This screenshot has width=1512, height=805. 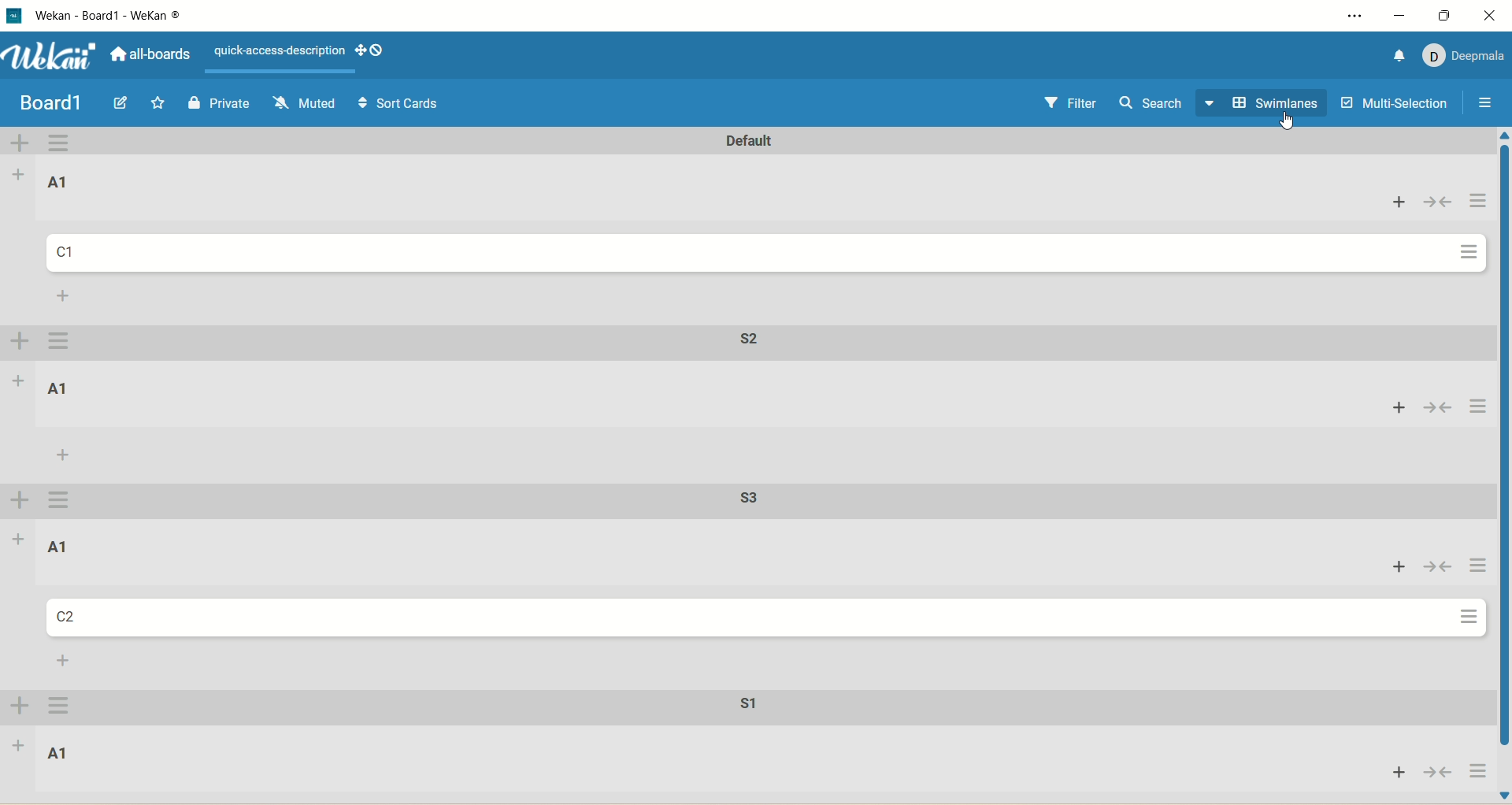 What do you see at coordinates (65, 143) in the screenshot?
I see `swimlane actions` at bounding box center [65, 143].